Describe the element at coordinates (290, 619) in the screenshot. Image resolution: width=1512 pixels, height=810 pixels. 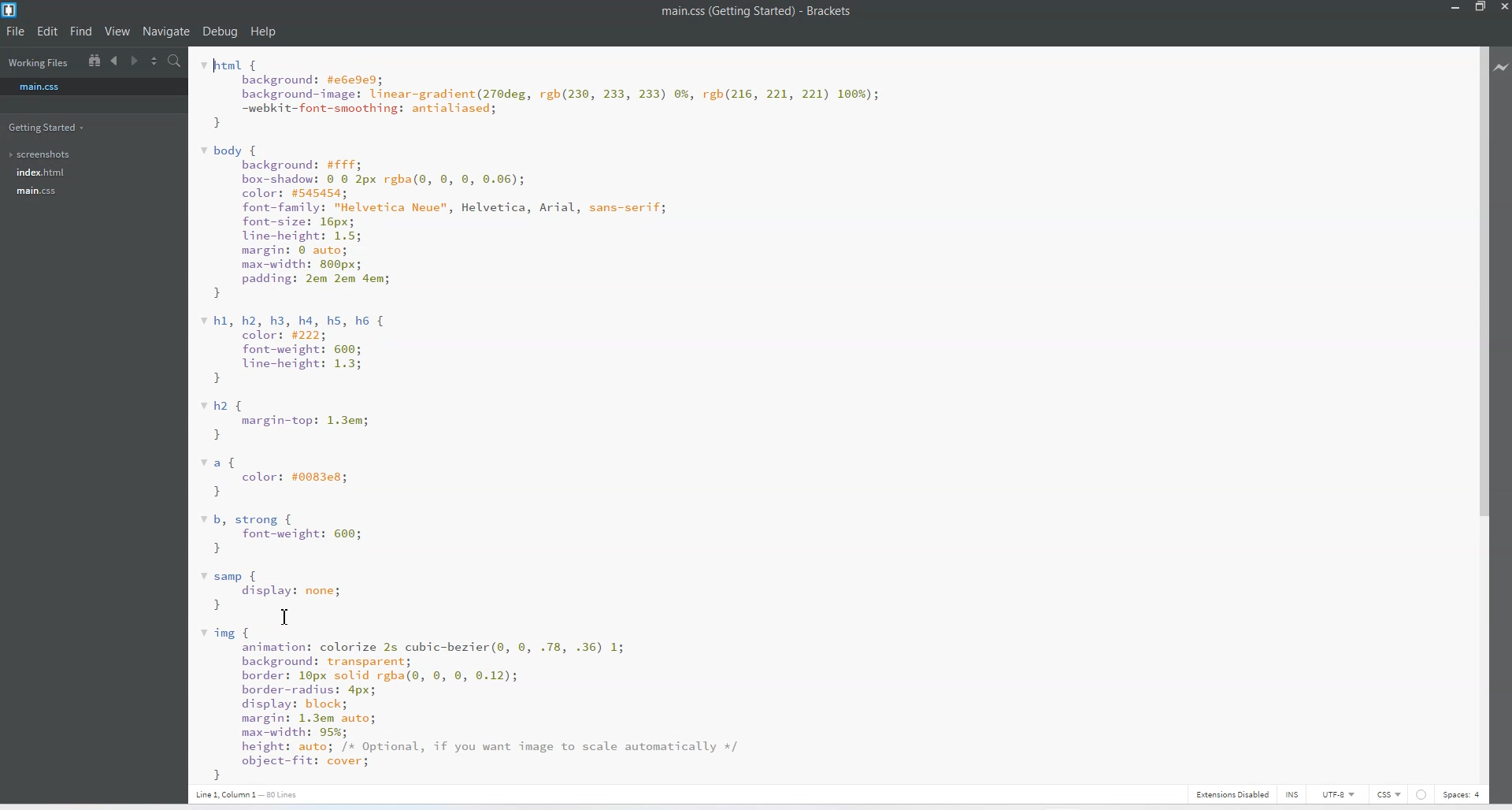
I see `Text Cursor` at that location.